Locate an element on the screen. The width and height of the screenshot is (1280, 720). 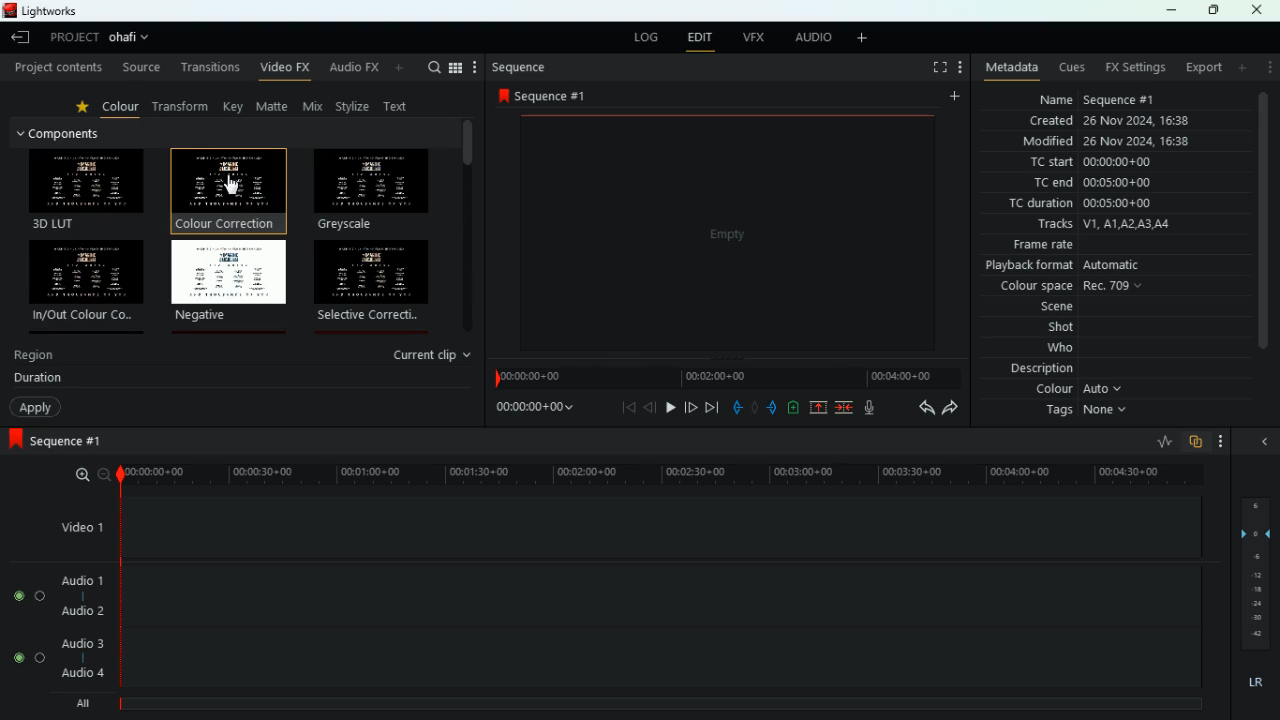
colour is located at coordinates (122, 110).